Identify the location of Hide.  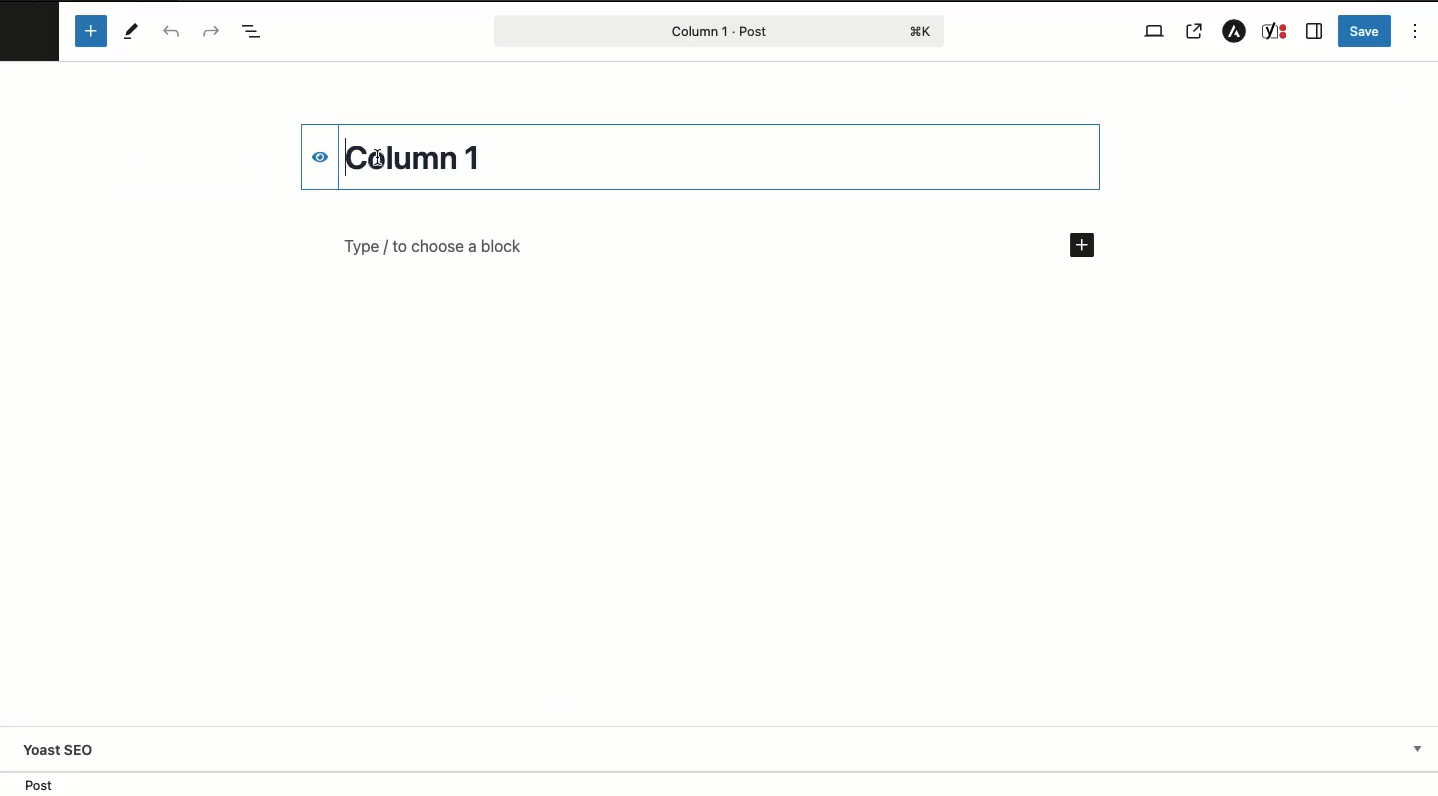
(309, 158).